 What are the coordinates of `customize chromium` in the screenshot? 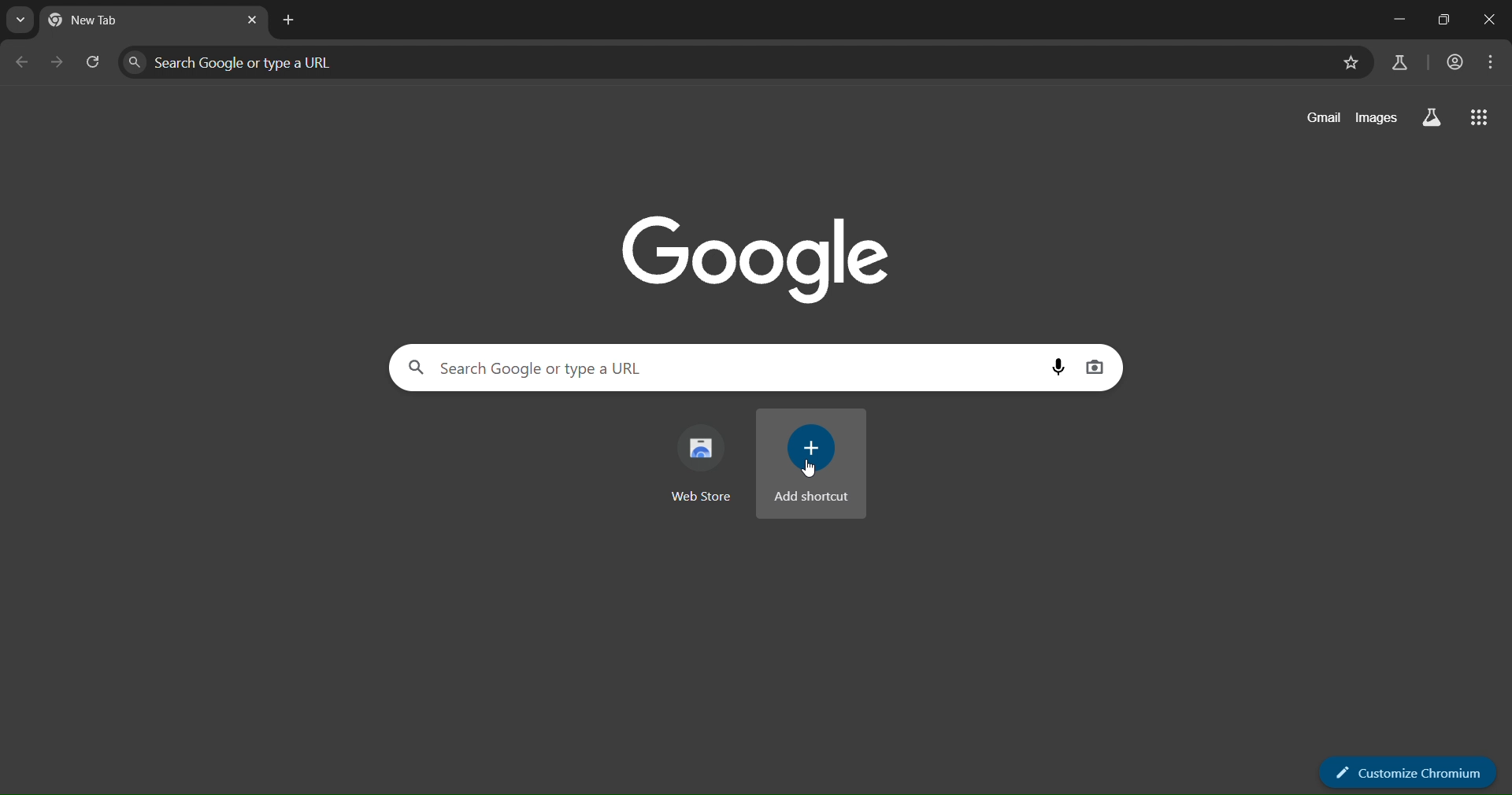 It's located at (1407, 773).